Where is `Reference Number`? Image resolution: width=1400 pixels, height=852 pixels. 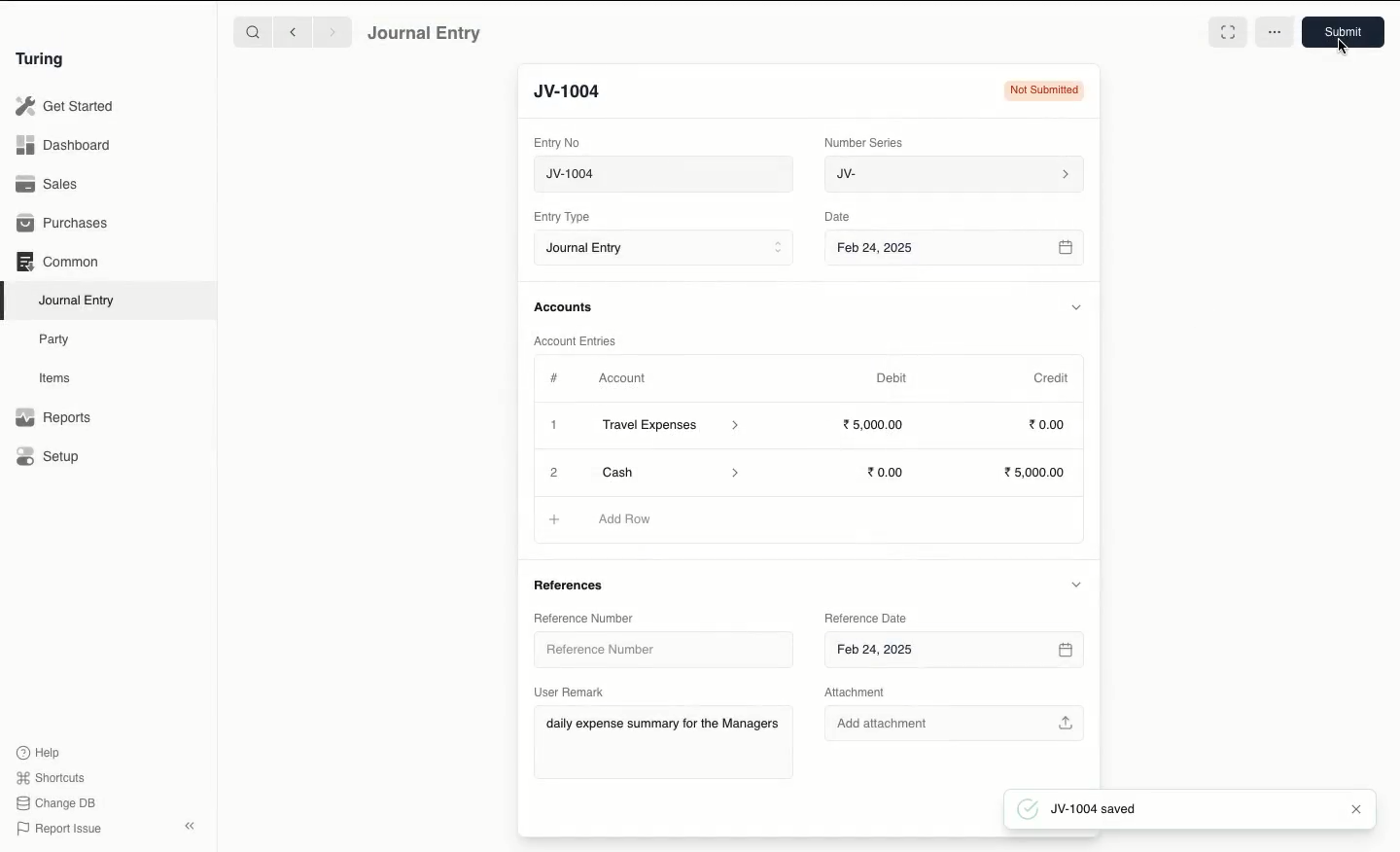
Reference Number is located at coordinates (585, 618).